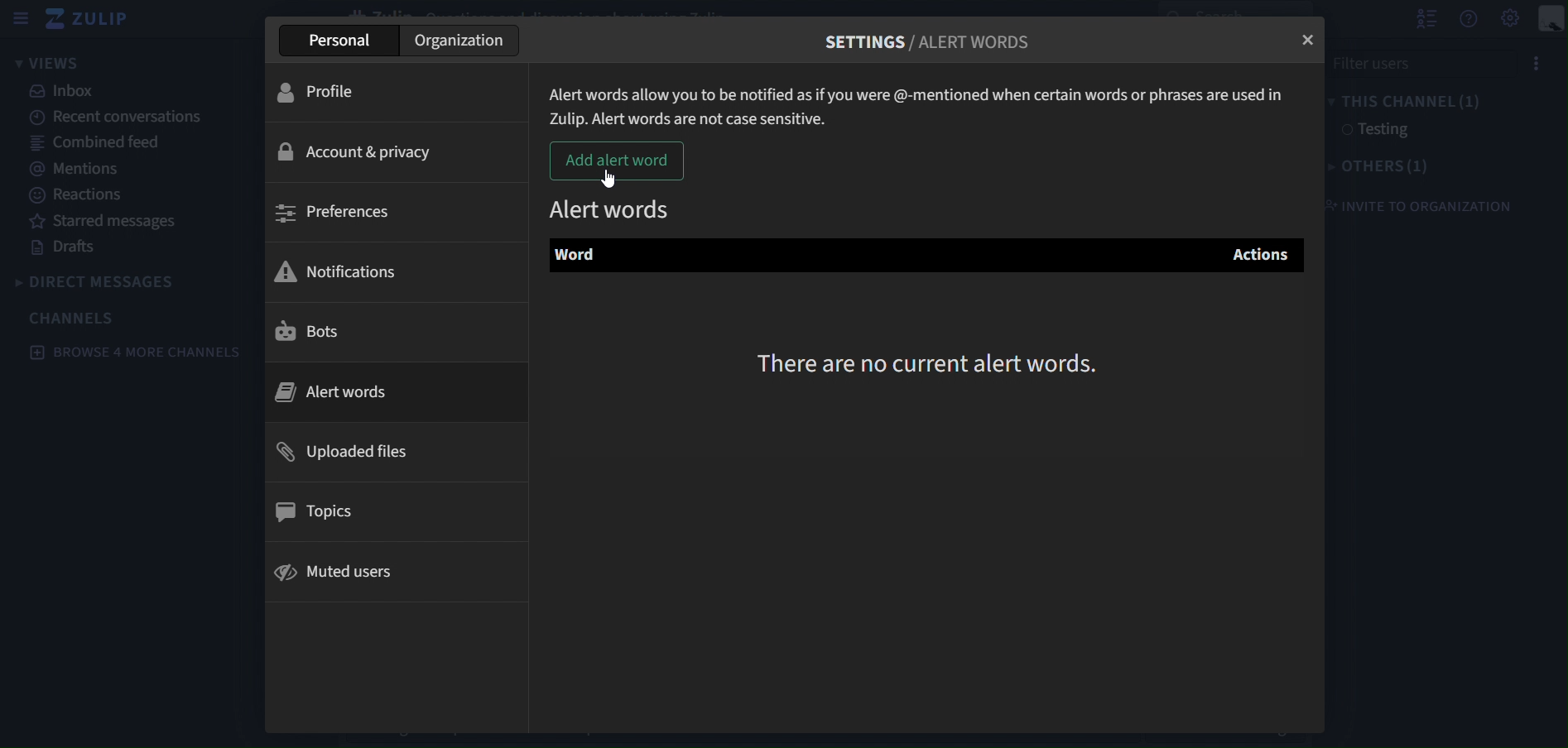  Describe the element at coordinates (318, 509) in the screenshot. I see `topics` at that location.